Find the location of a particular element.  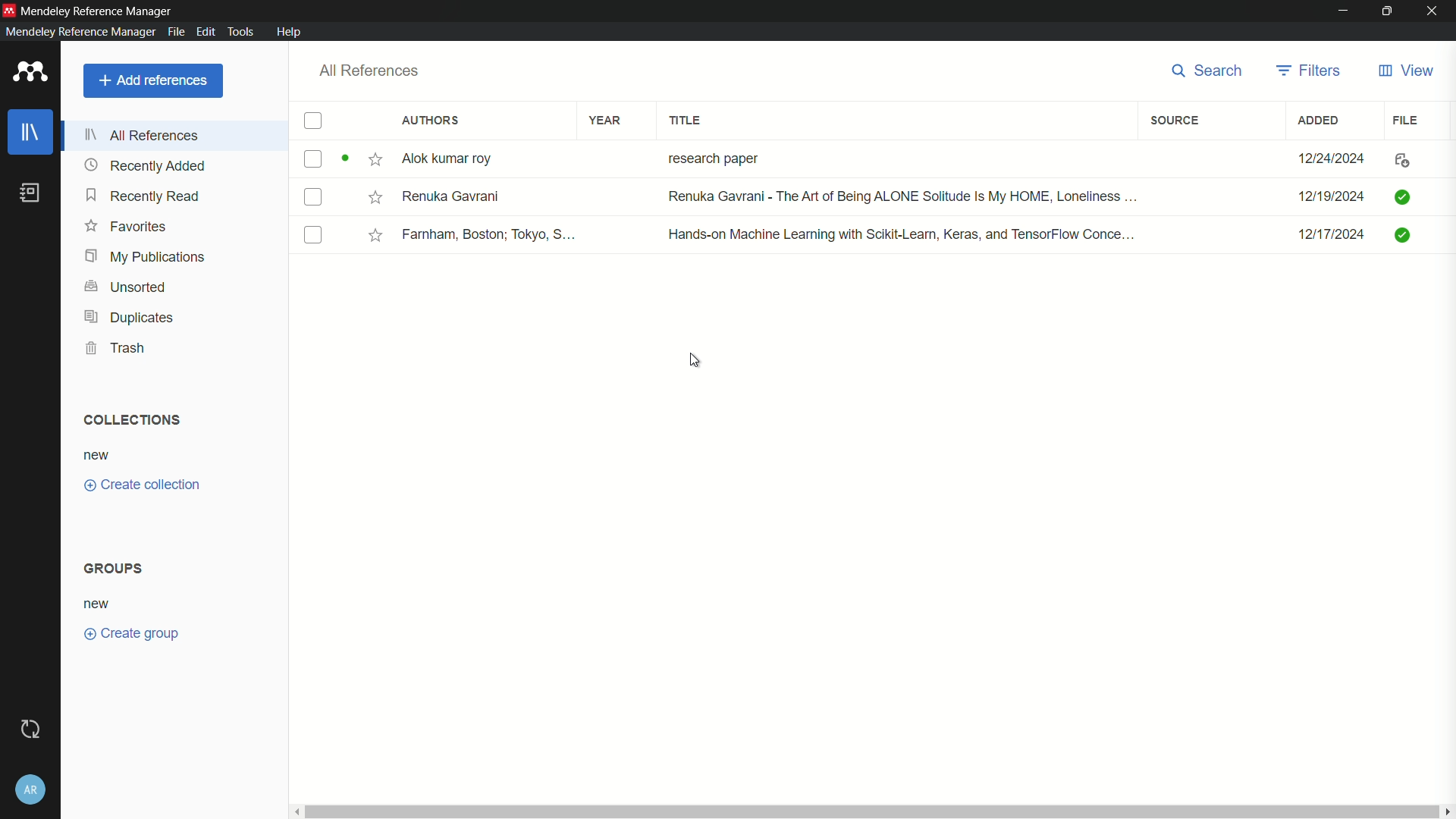

cursor is located at coordinates (695, 359).